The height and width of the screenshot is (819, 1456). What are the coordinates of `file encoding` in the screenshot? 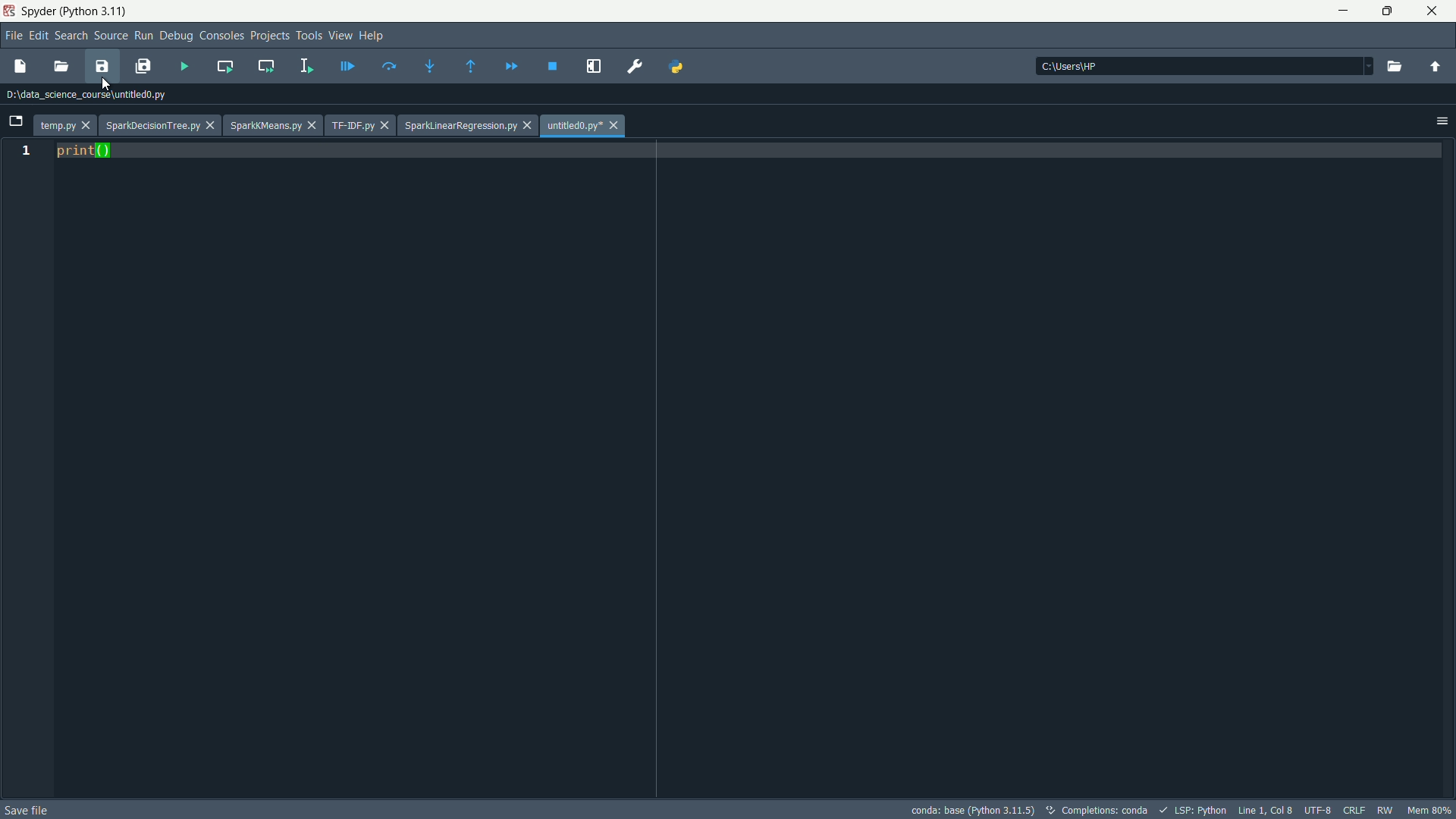 It's located at (1318, 810).